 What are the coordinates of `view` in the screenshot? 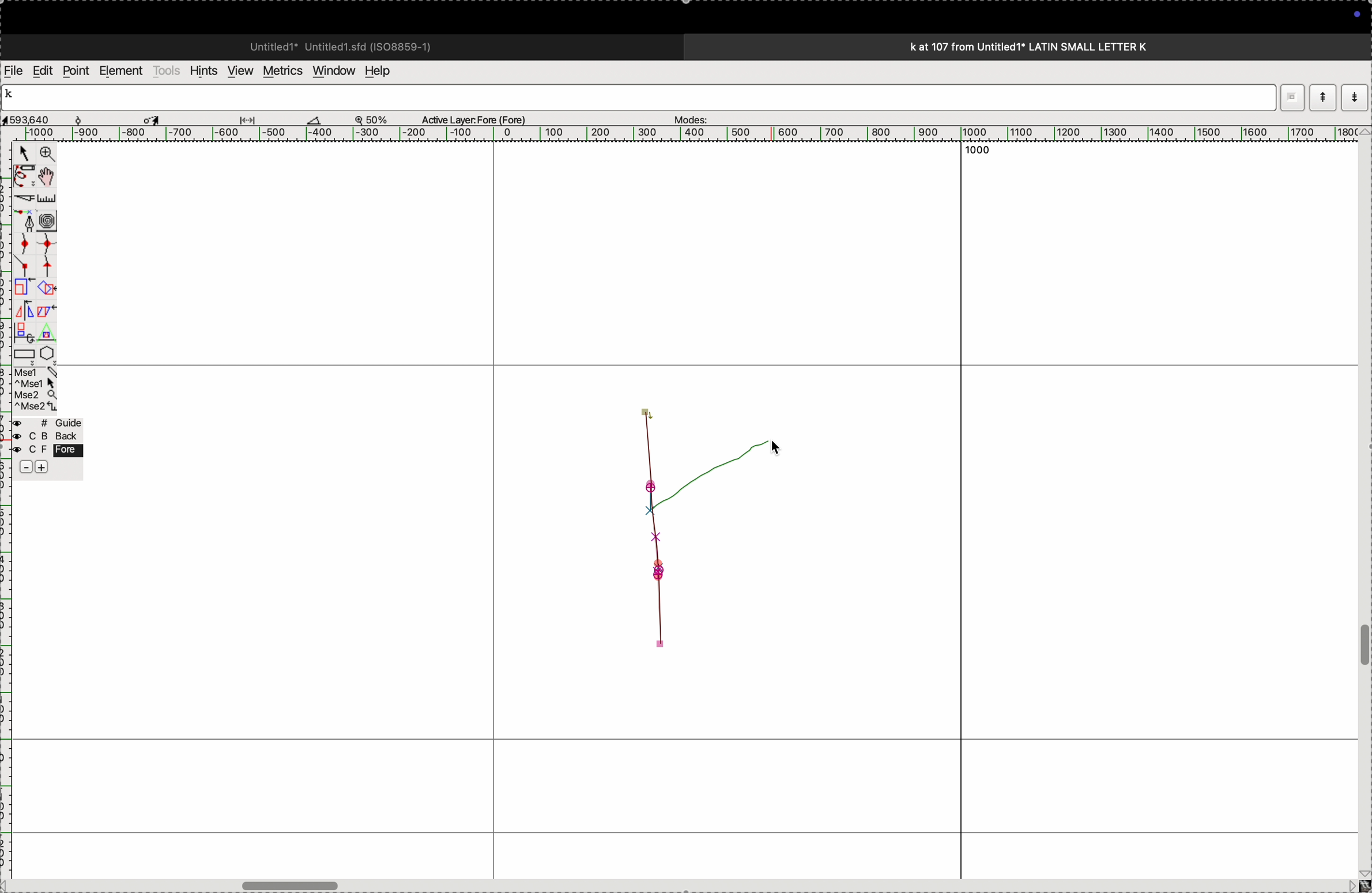 It's located at (237, 71).